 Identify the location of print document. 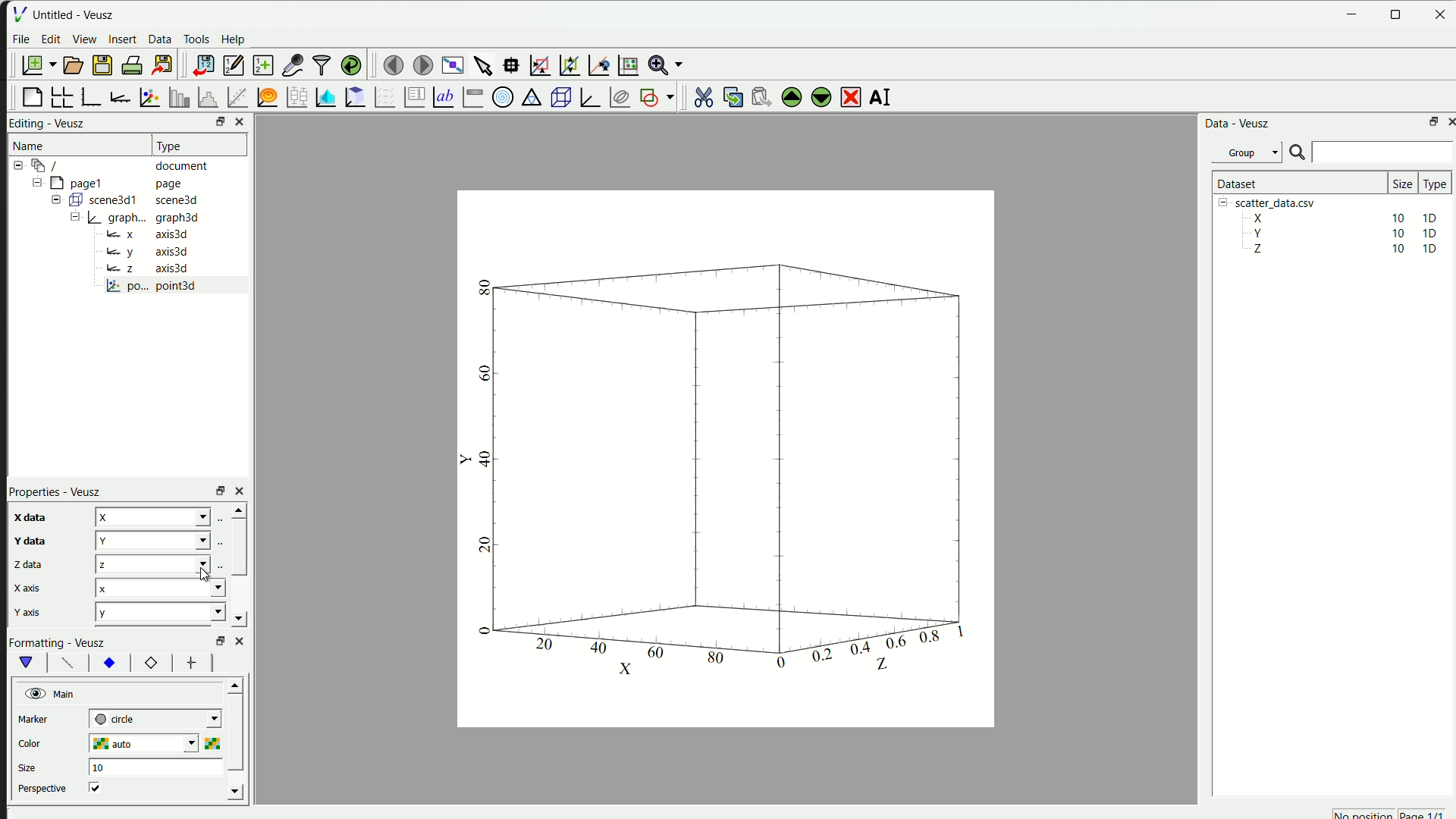
(132, 65).